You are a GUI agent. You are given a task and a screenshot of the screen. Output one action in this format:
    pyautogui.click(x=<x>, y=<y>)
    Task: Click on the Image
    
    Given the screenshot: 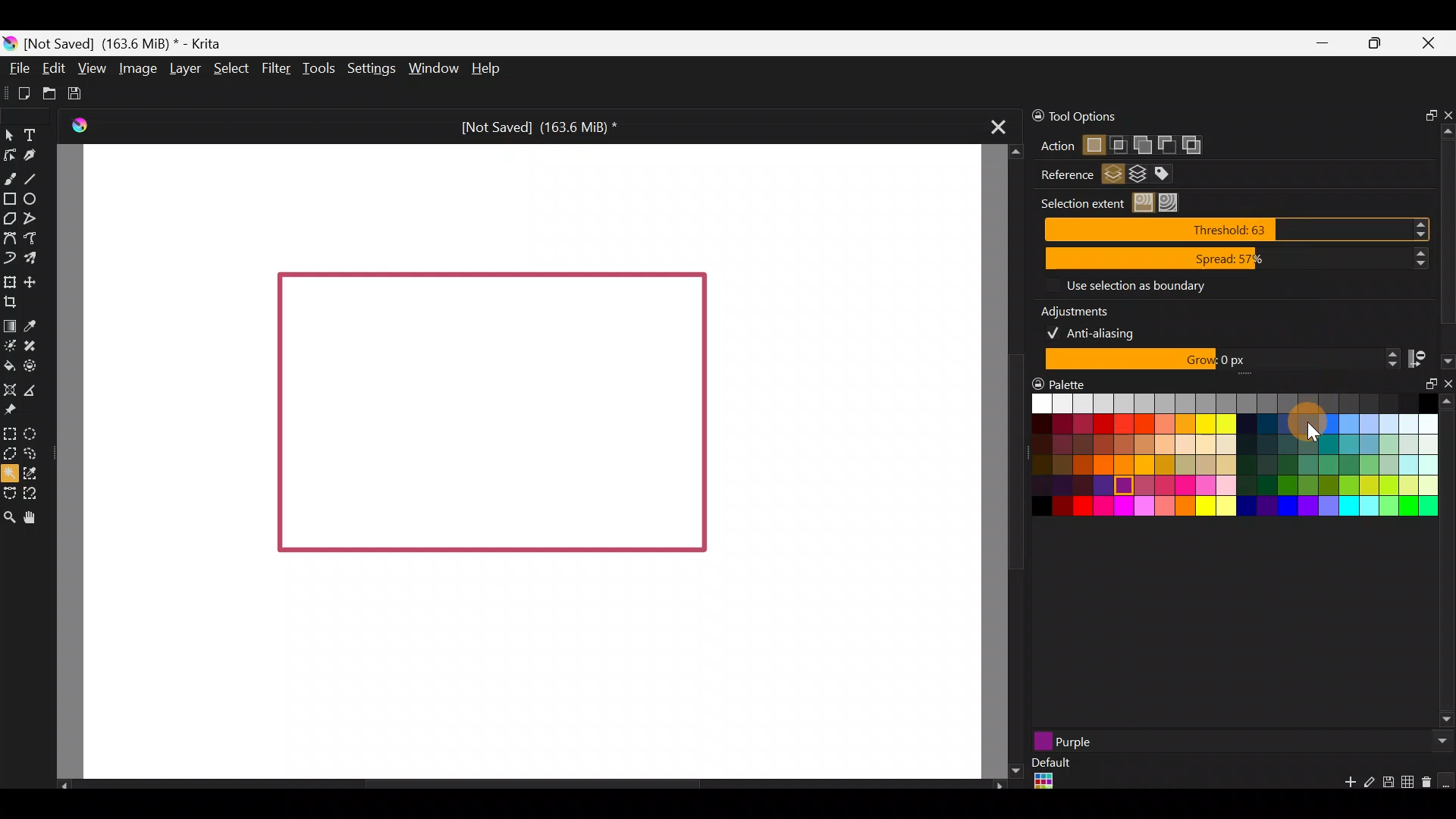 What is the action you would take?
    pyautogui.click(x=138, y=70)
    